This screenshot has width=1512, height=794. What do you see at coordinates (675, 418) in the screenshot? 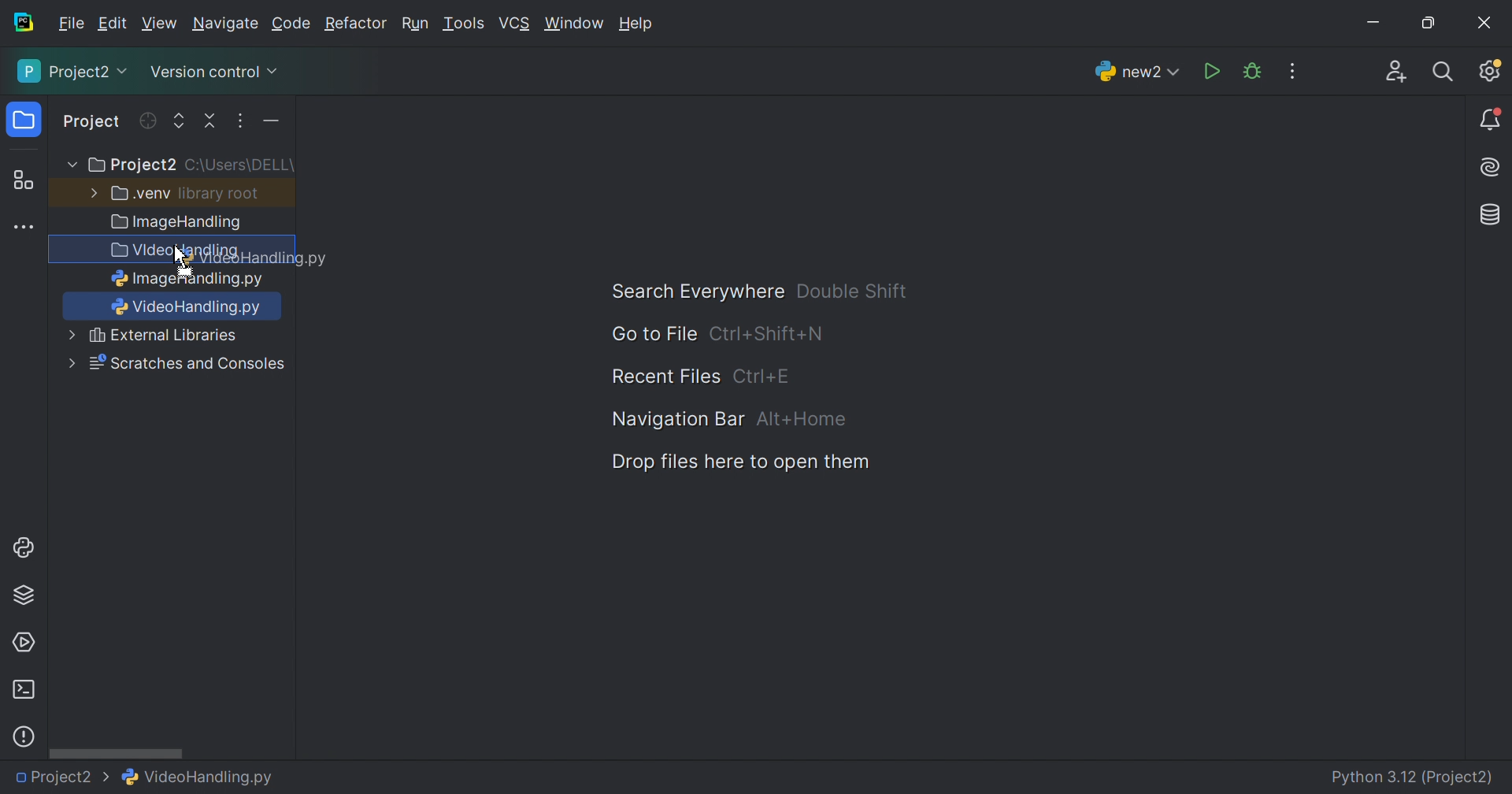
I see `Navigation Bar` at bounding box center [675, 418].